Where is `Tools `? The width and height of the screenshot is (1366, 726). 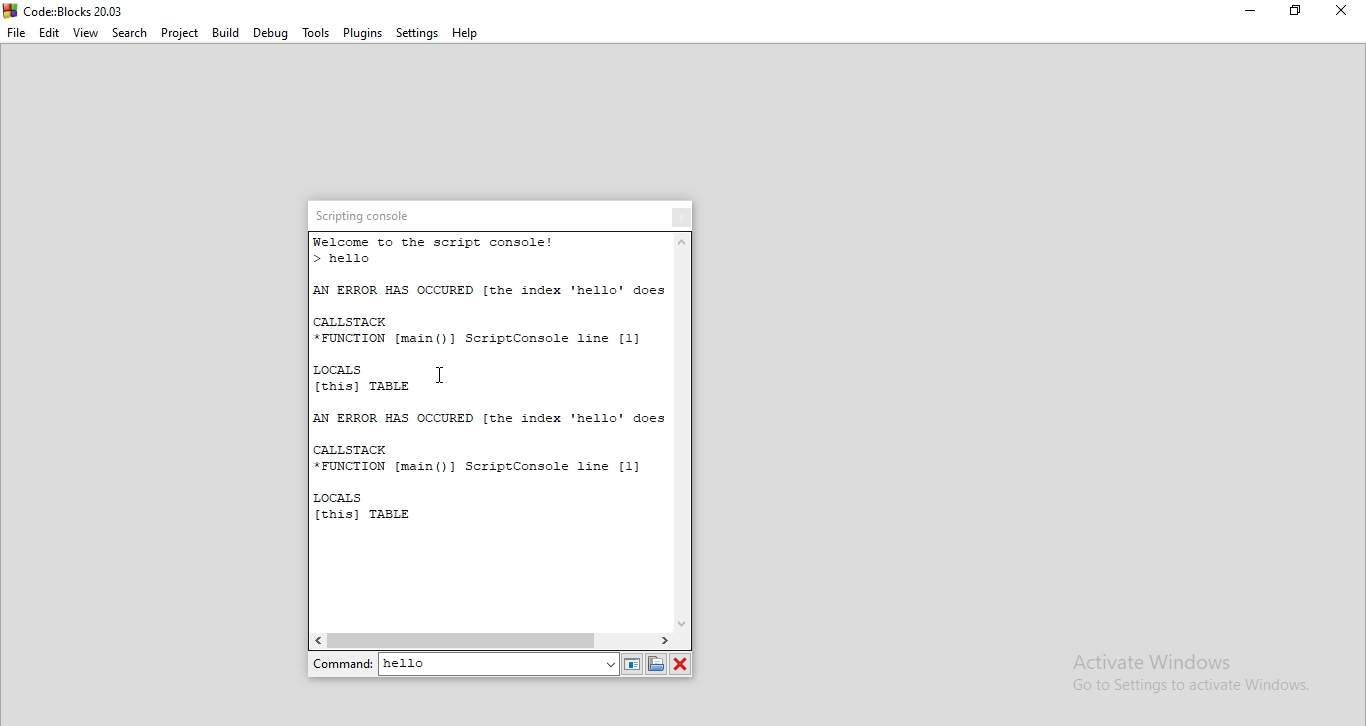 Tools  is located at coordinates (315, 32).